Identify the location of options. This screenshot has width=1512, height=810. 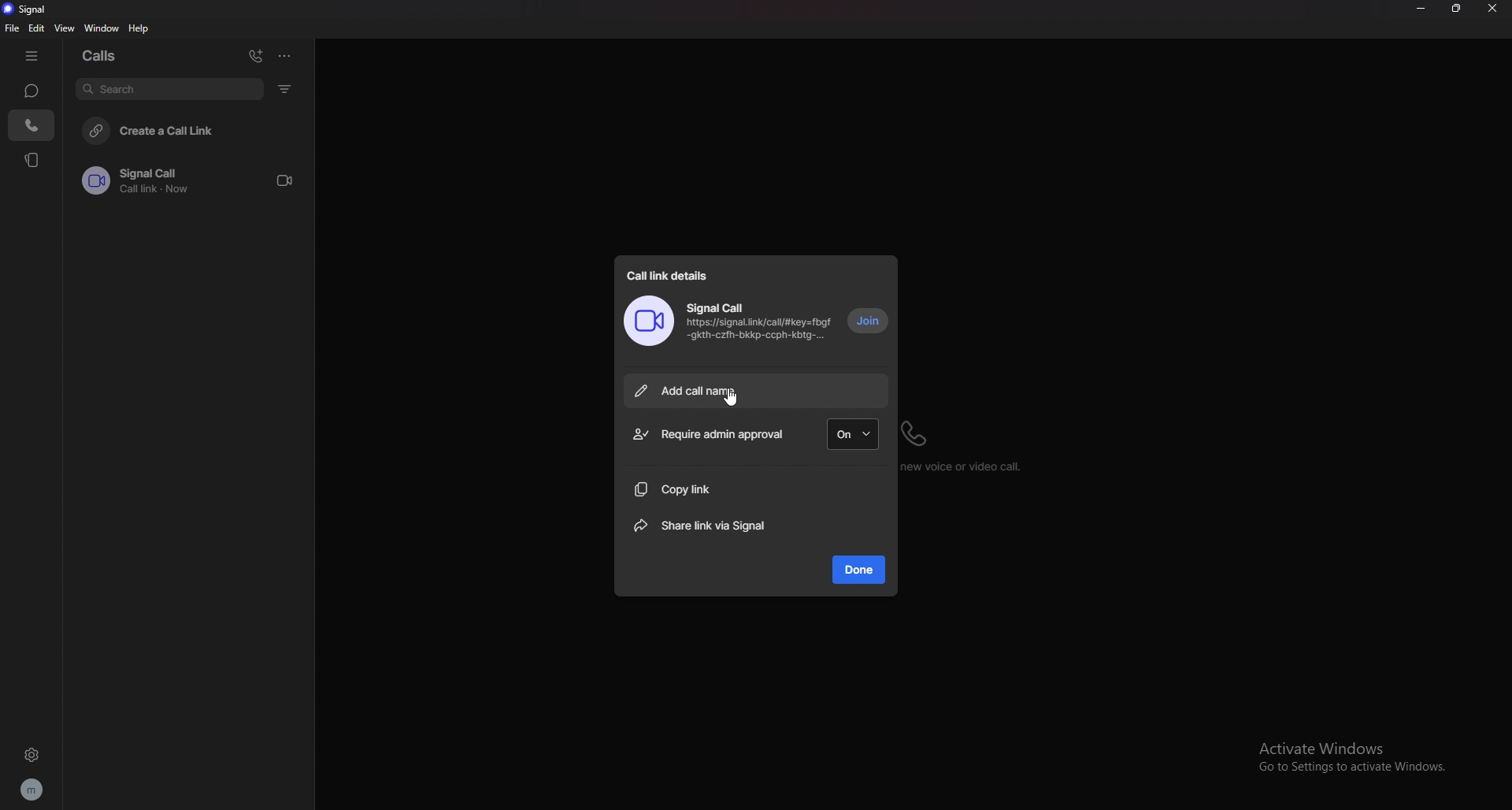
(284, 55).